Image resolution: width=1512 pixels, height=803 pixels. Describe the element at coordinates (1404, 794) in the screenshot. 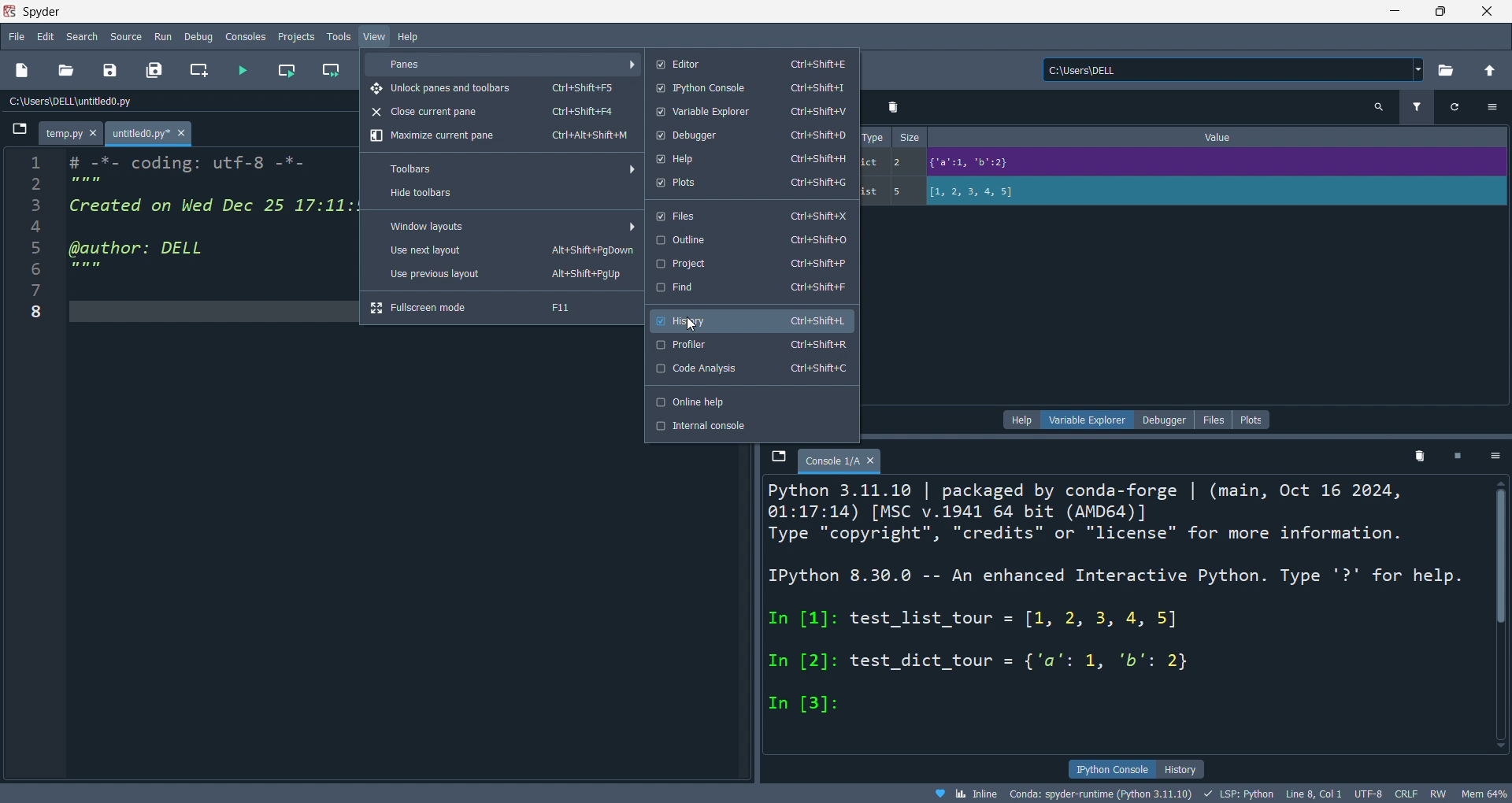

I see `crlf` at that location.